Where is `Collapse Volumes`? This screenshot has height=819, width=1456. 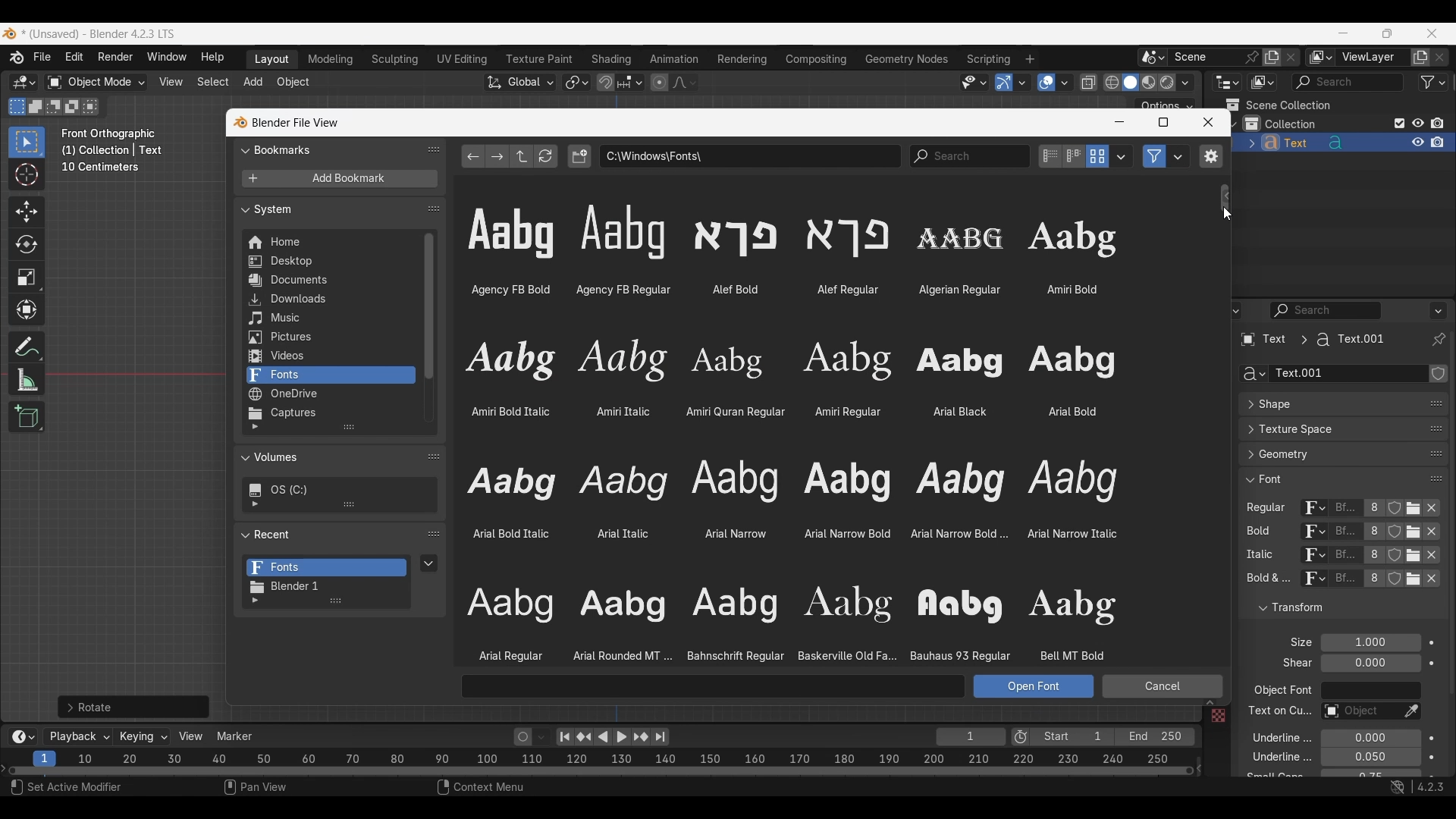 Collapse Volumes is located at coordinates (325, 458).